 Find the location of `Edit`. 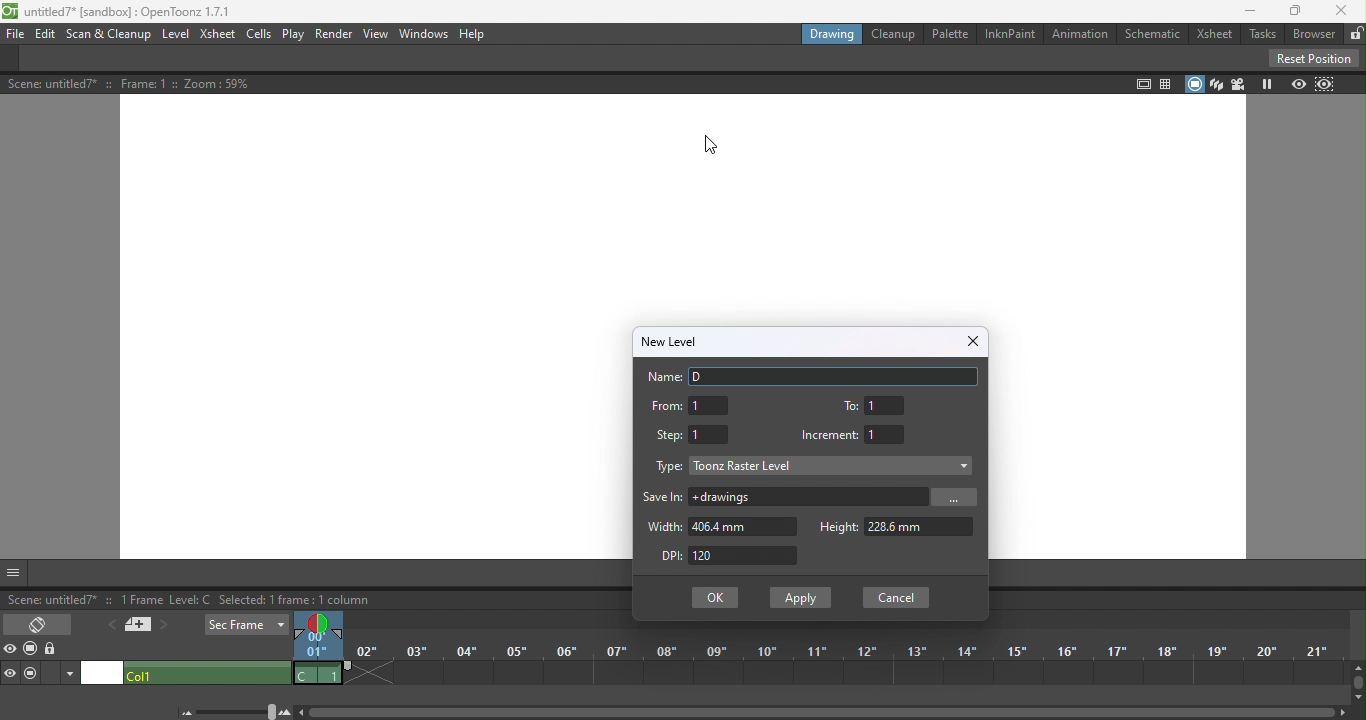

Edit is located at coordinates (48, 35).